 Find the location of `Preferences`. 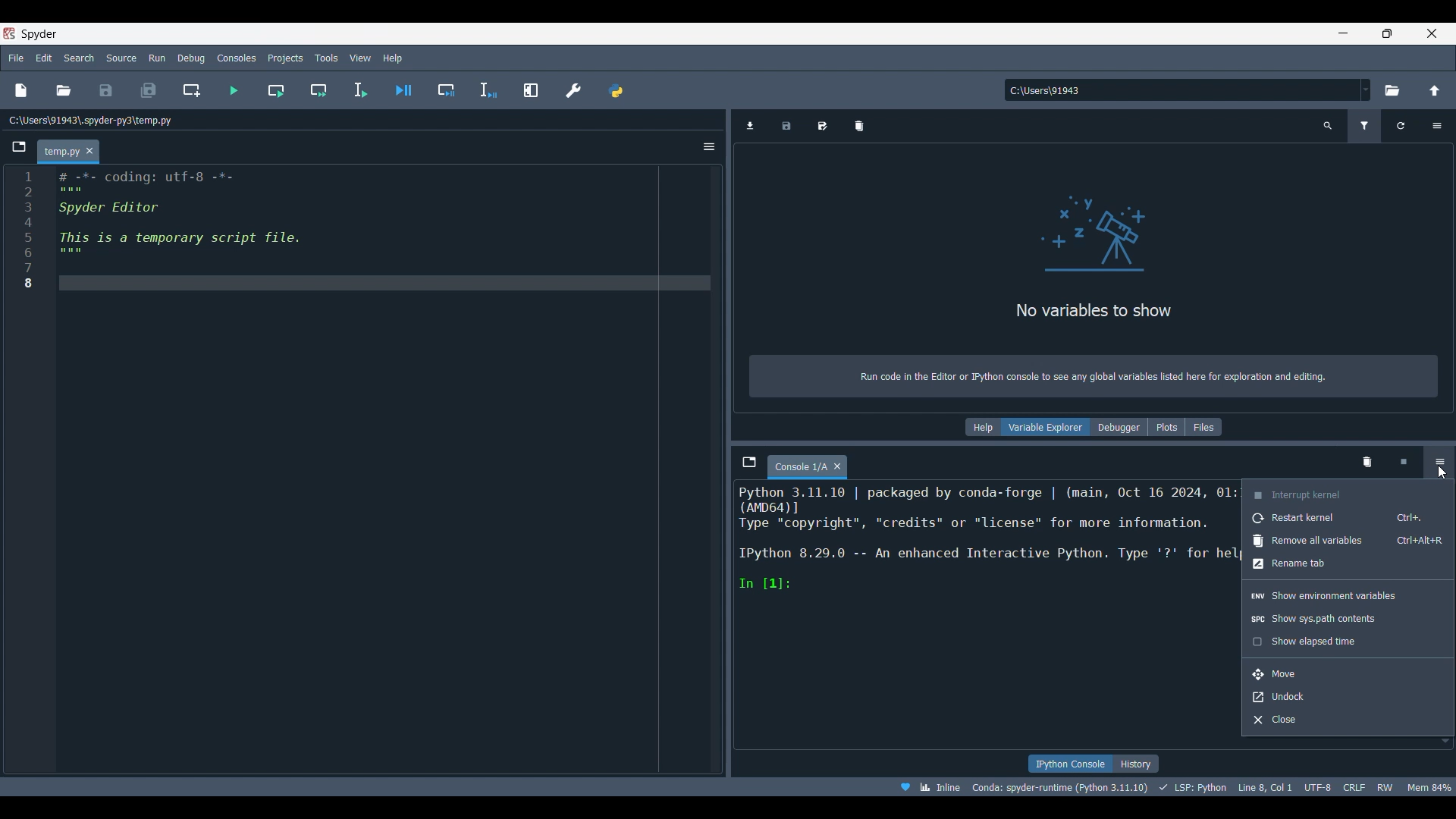

Preferences is located at coordinates (574, 89).